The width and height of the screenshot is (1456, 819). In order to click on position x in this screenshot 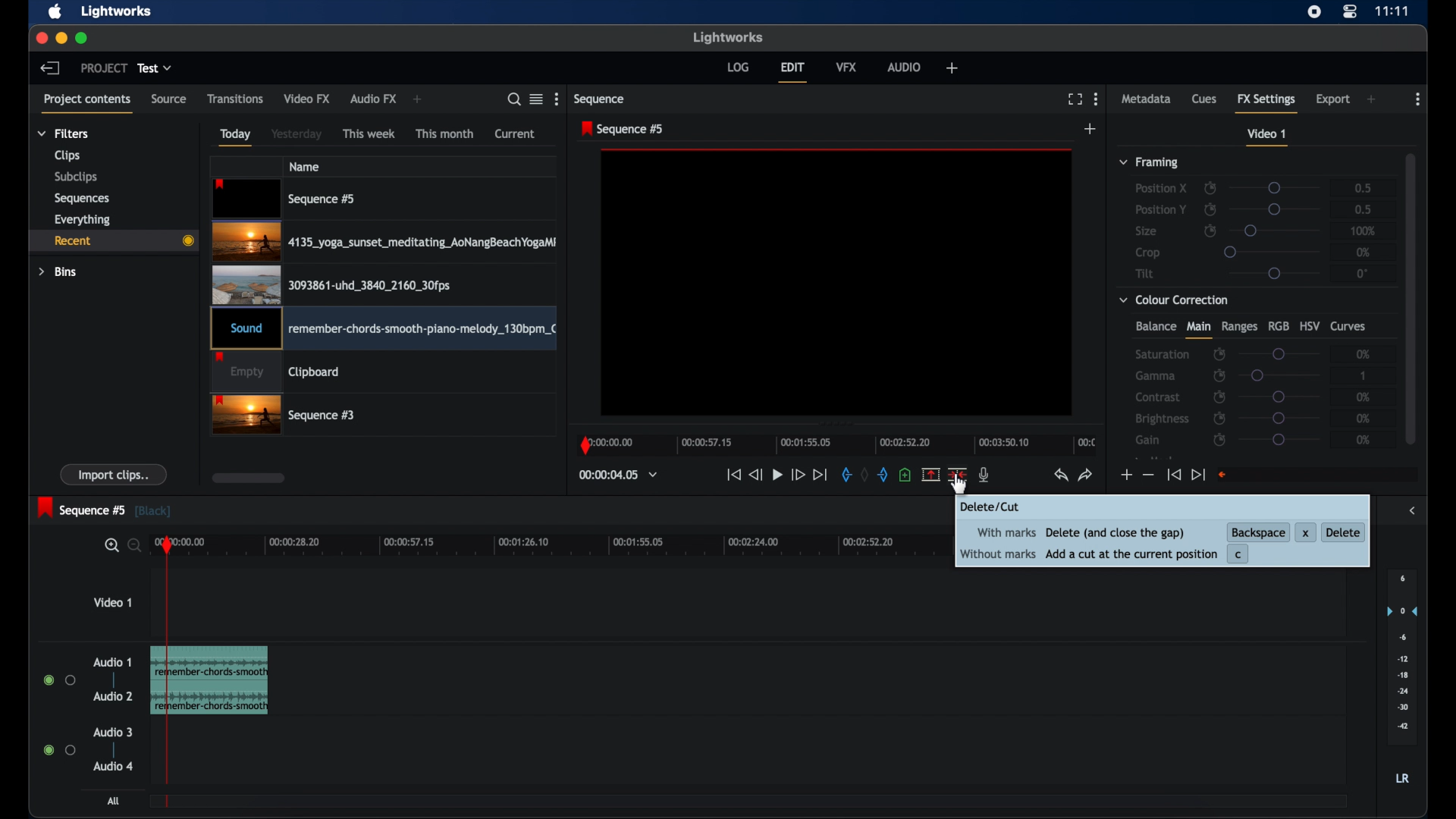, I will do `click(1161, 189)`.